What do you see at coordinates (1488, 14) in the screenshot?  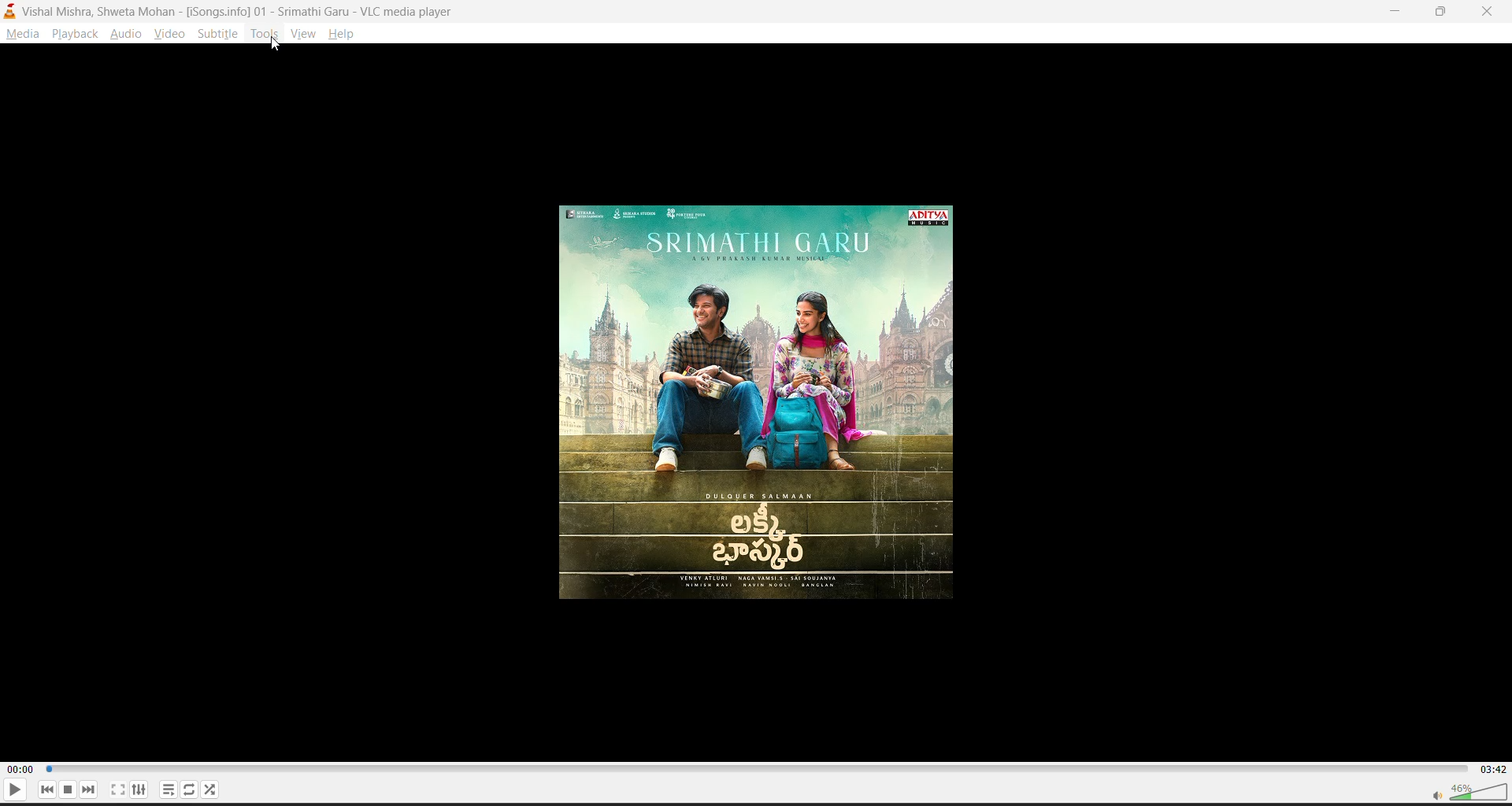 I see `close` at bounding box center [1488, 14].